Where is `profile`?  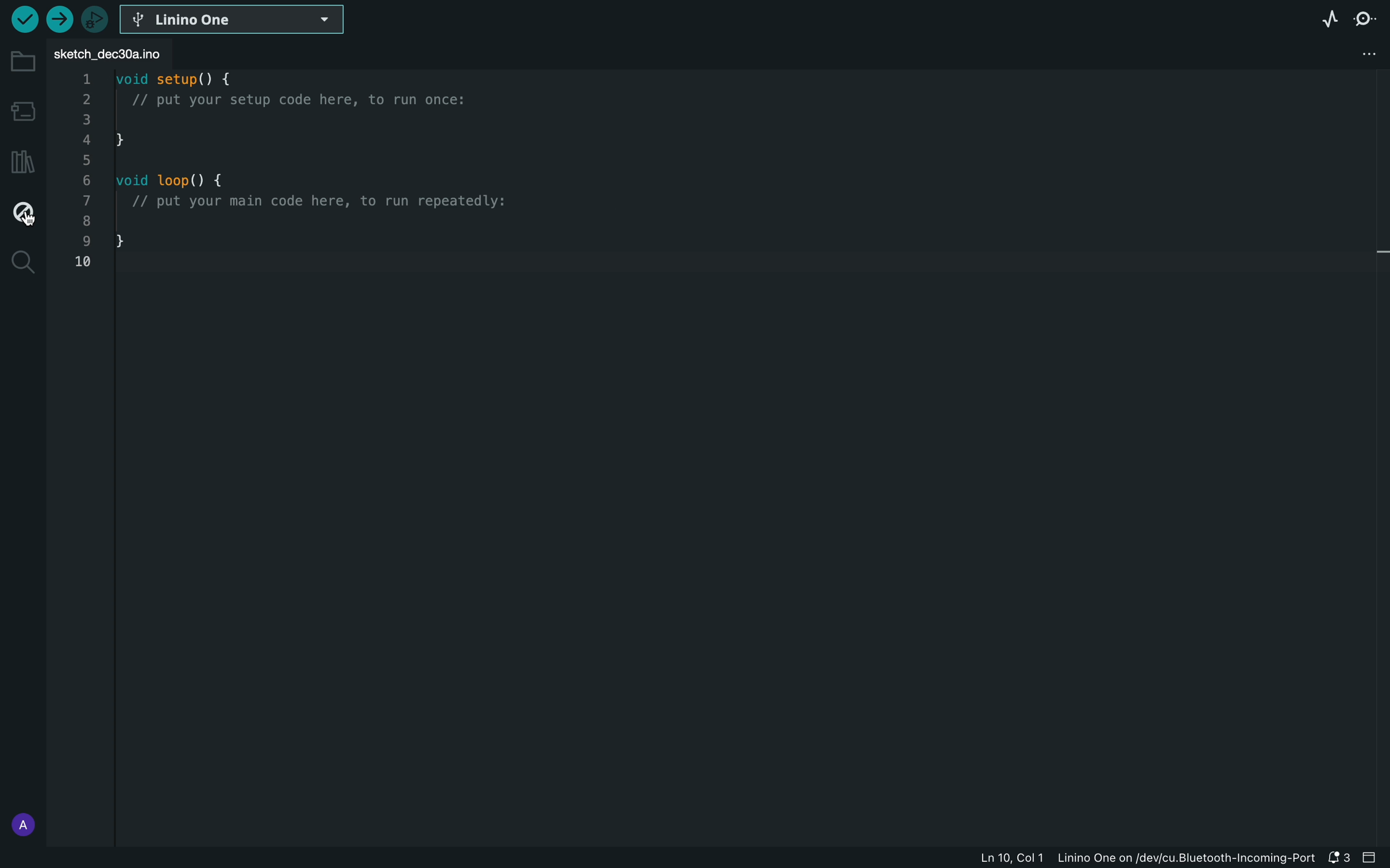
profile is located at coordinates (21, 820).